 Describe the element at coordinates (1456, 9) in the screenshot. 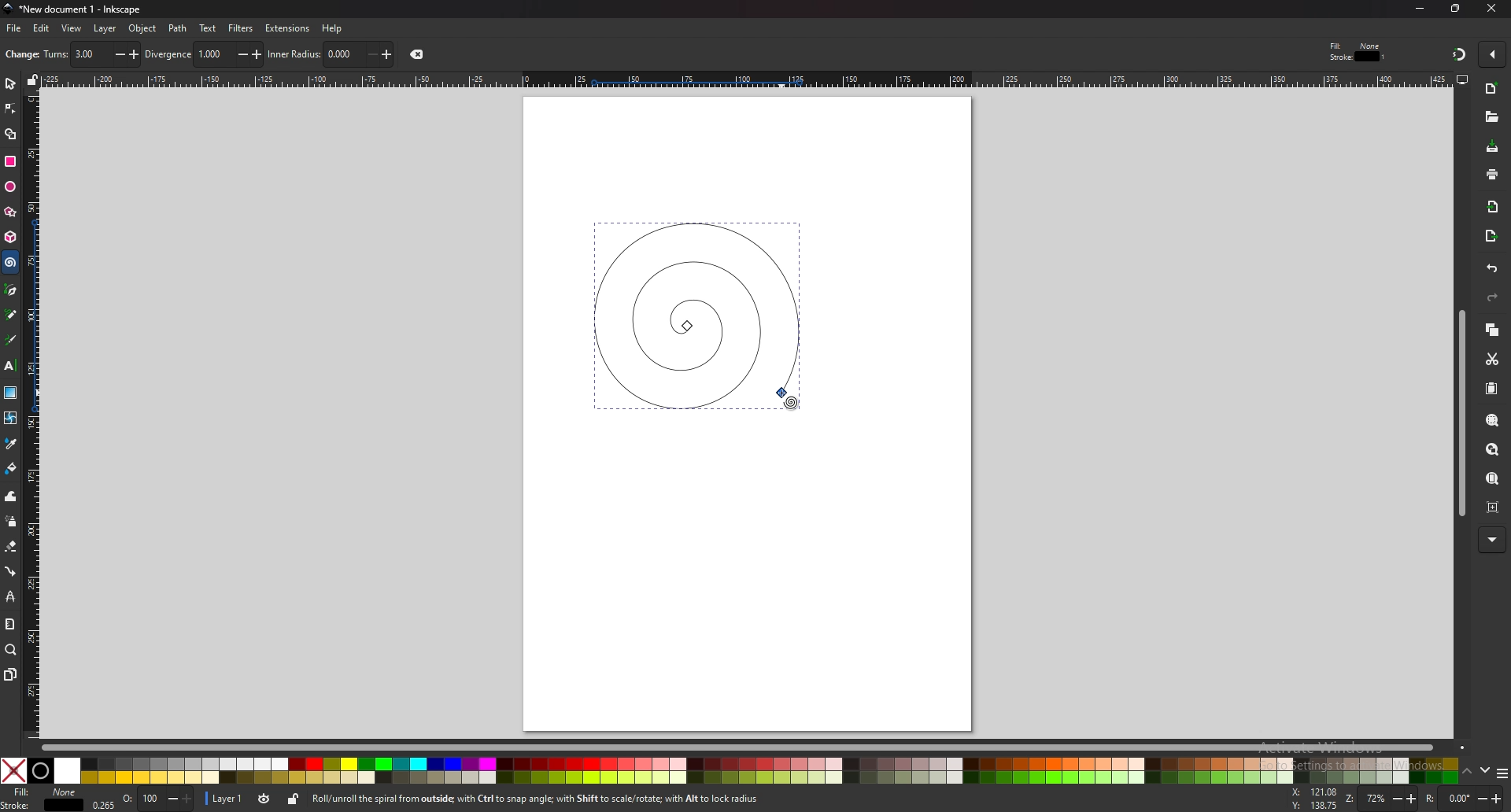

I see `resize` at that location.